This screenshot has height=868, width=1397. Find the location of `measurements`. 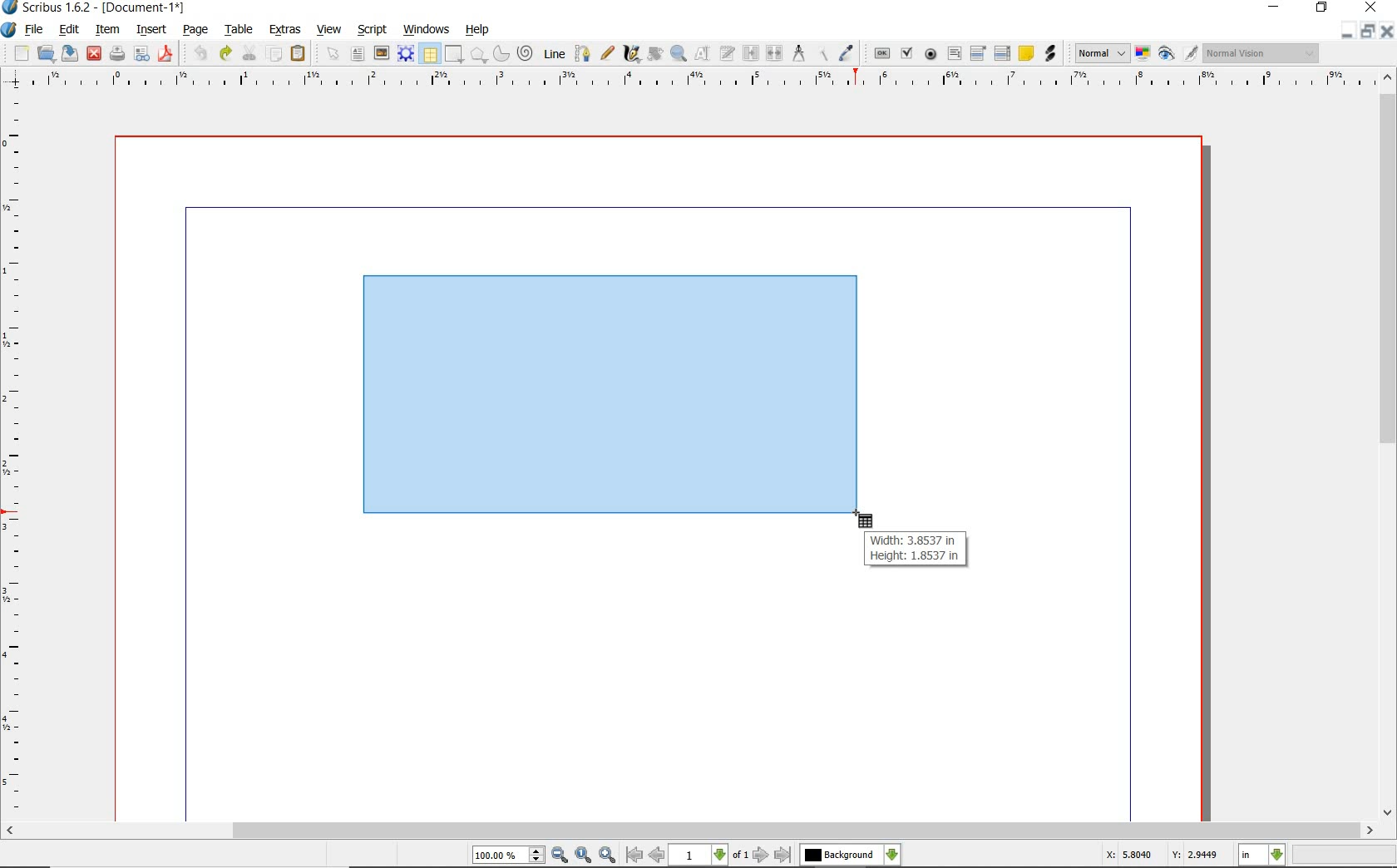

measurements is located at coordinates (799, 53).